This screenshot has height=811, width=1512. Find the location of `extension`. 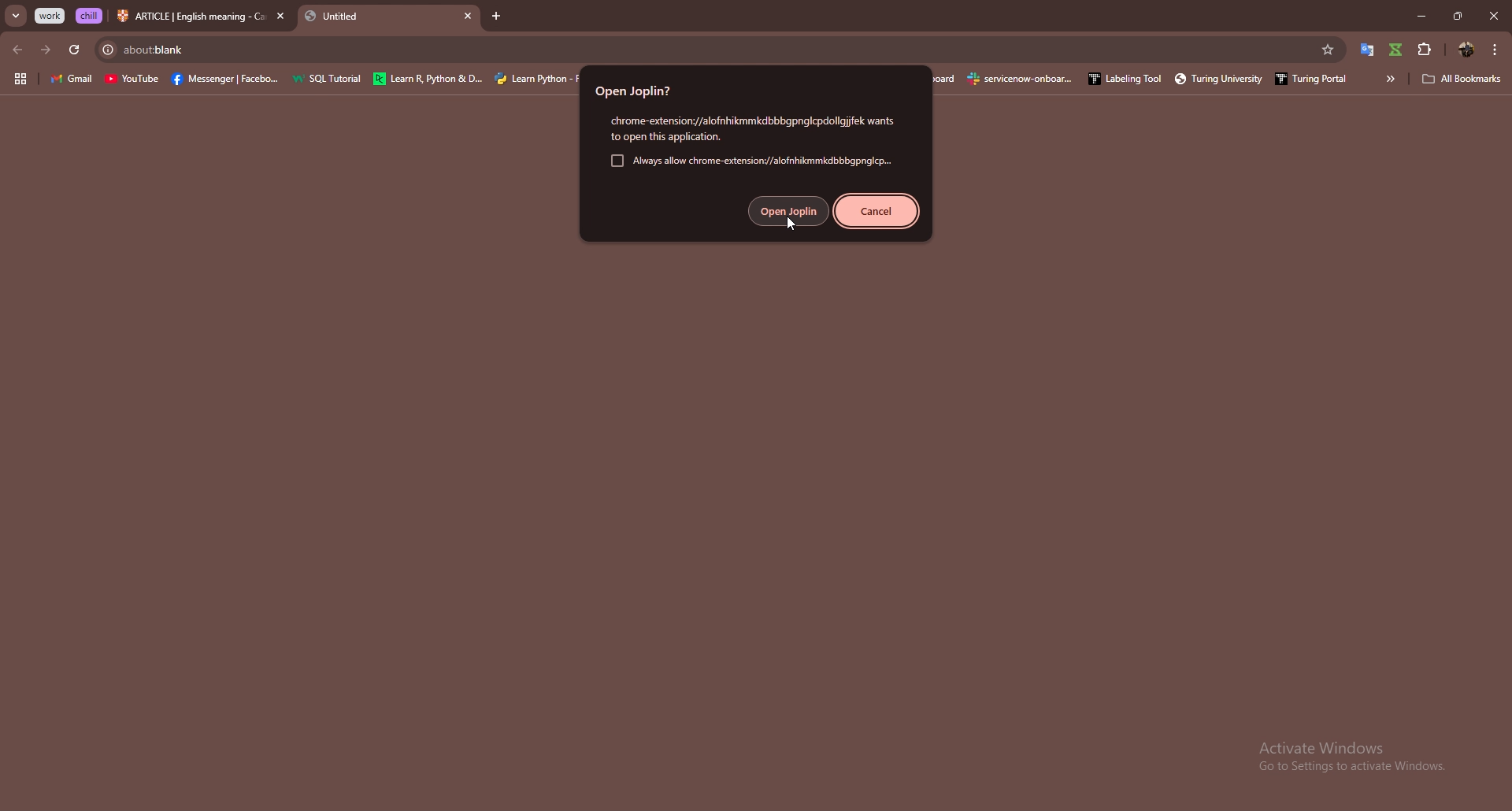

extension is located at coordinates (1396, 50).